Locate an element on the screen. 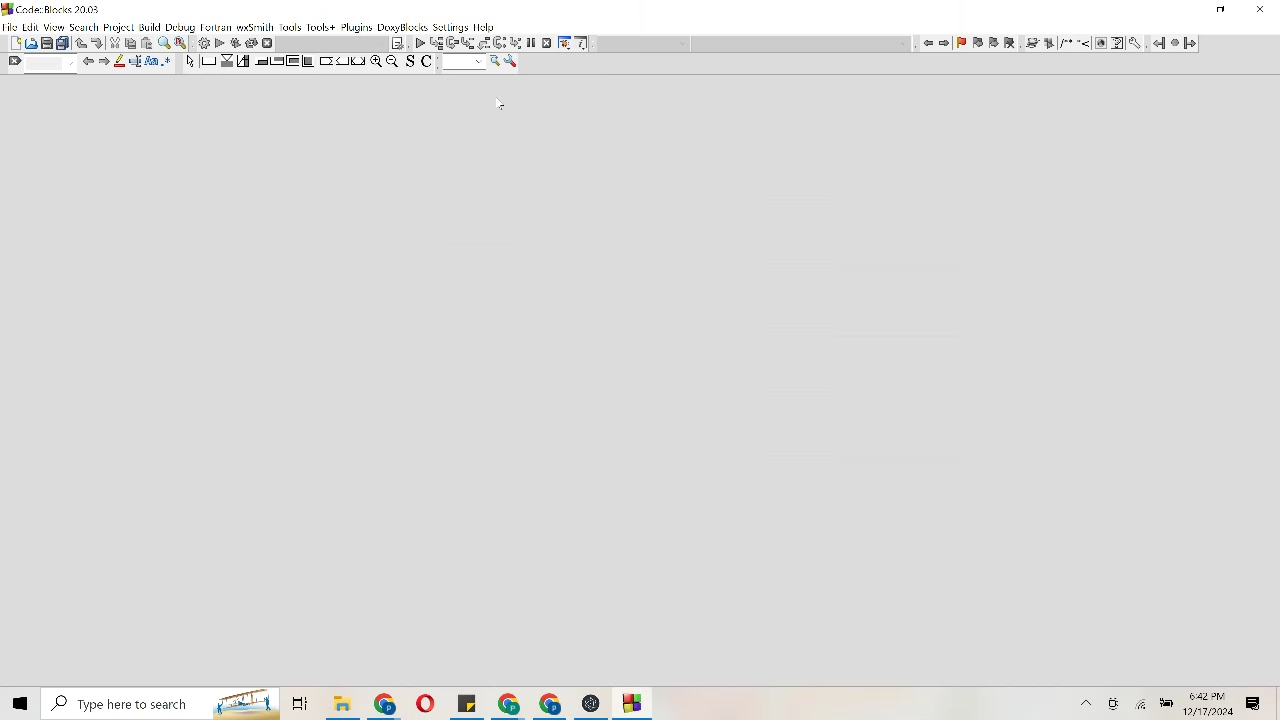 The image size is (1280, 720). Save and copy is located at coordinates (423, 63).